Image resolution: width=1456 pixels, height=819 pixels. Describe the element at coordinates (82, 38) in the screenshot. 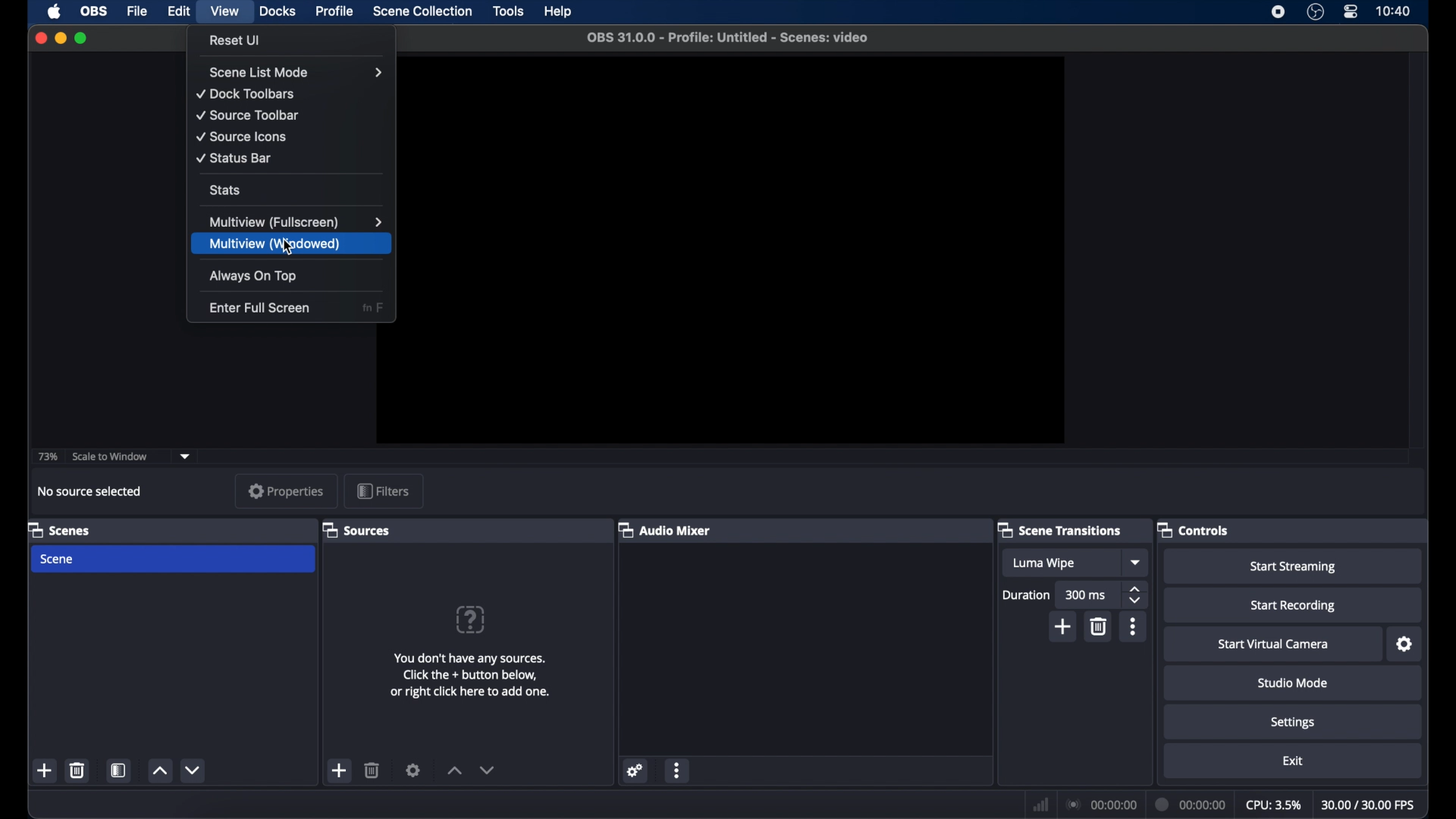

I see `maximize` at that location.